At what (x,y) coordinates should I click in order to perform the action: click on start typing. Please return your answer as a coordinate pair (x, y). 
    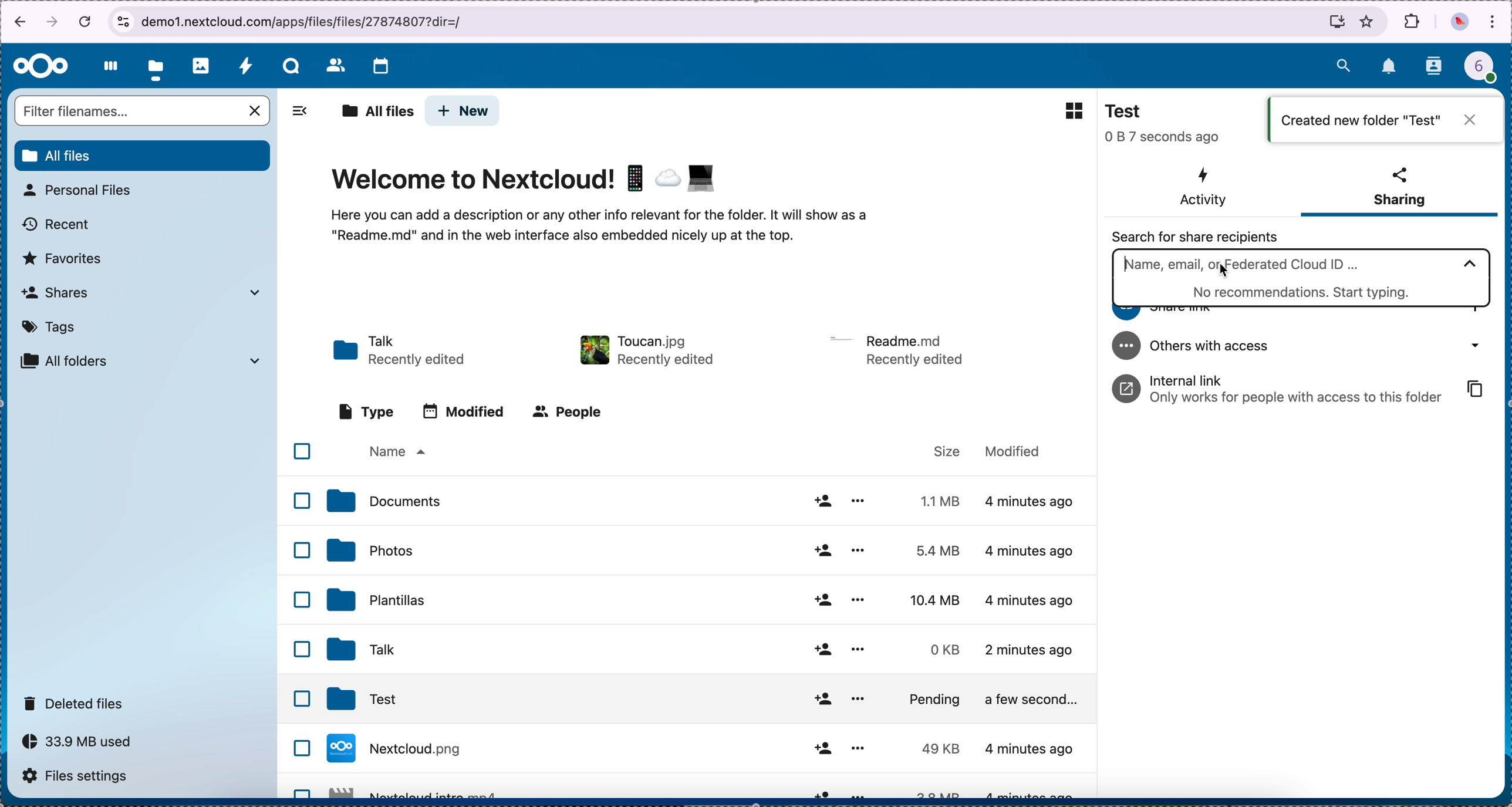
    Looking at the image, I should click on (1305, 295).